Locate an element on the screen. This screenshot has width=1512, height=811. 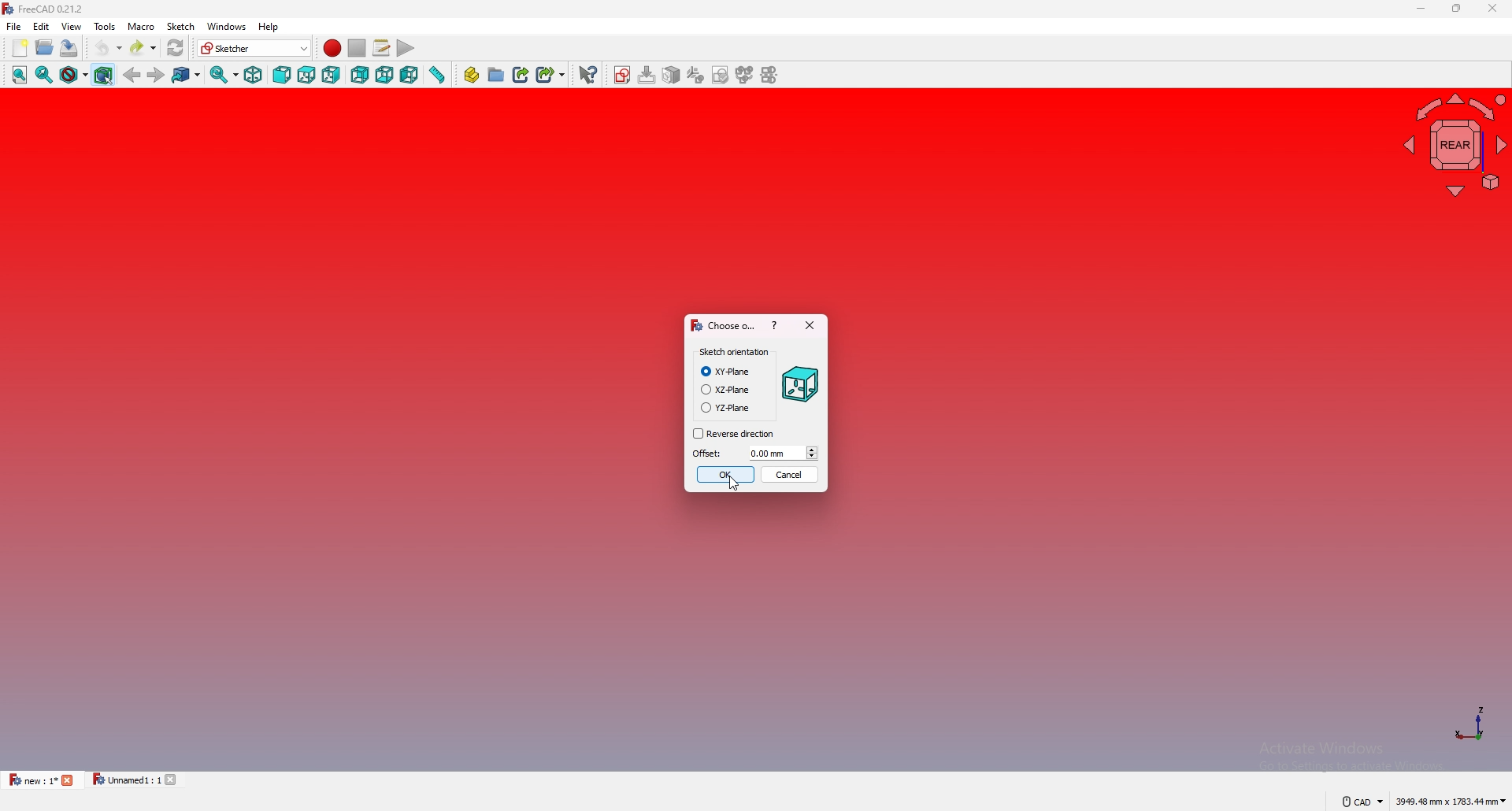
create group is located at coordinates (497, 73).